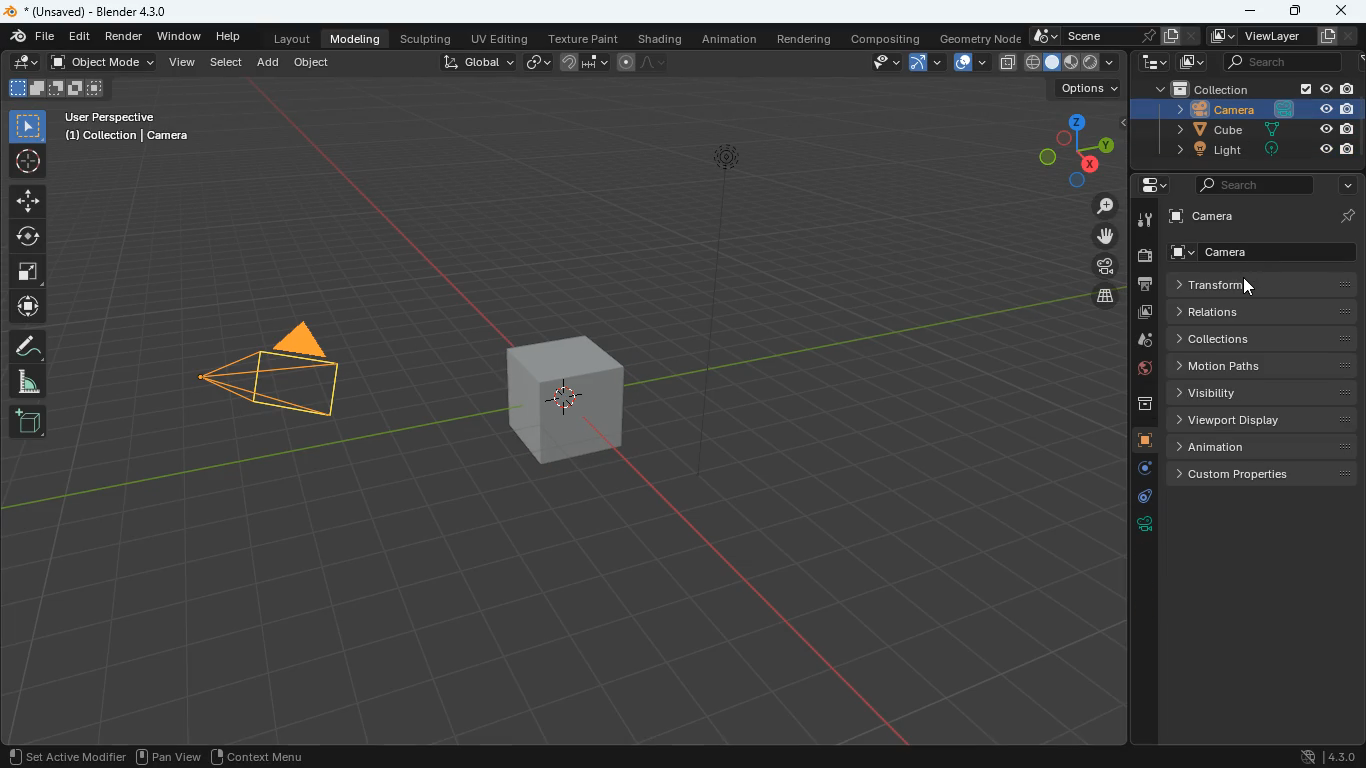 The image size is (1366, 768). Describe the element at coordinates (1254, 88) in the screenshot. I see `collection` at that location.